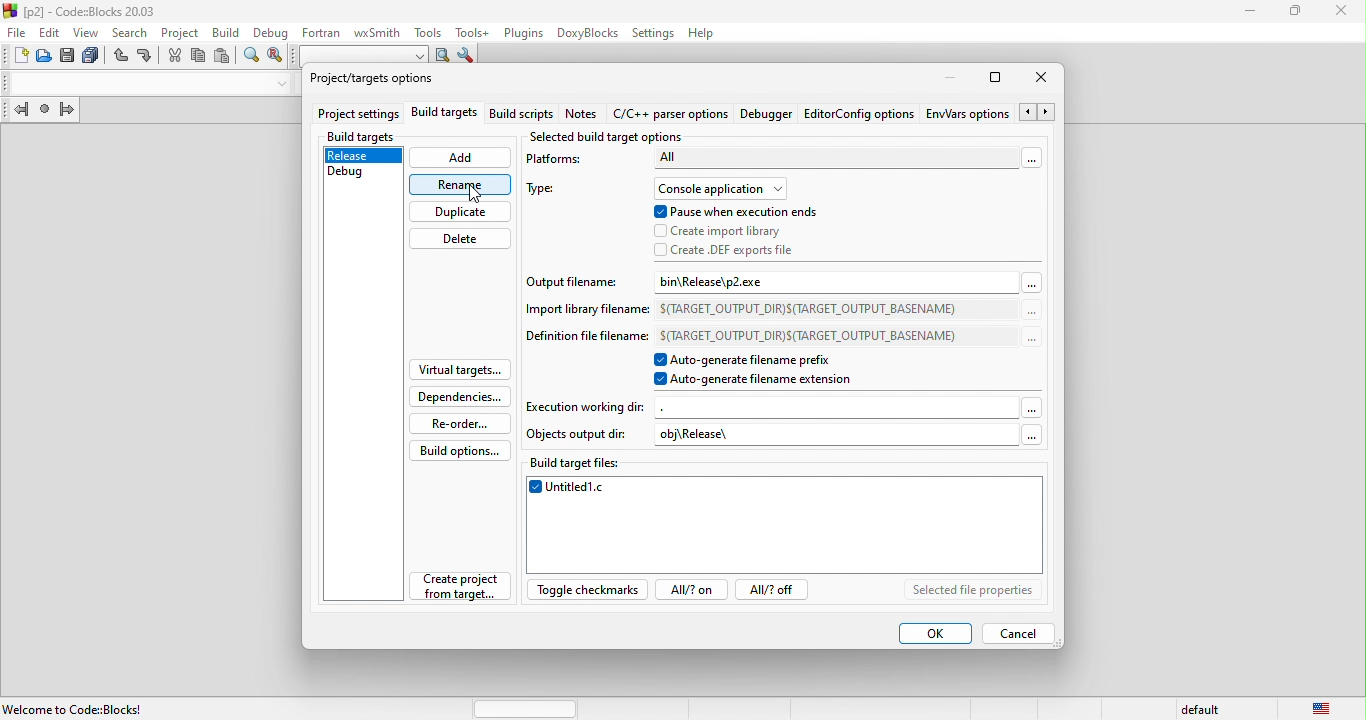  I want to click on auto generate filename prefix, so click(765, 360).